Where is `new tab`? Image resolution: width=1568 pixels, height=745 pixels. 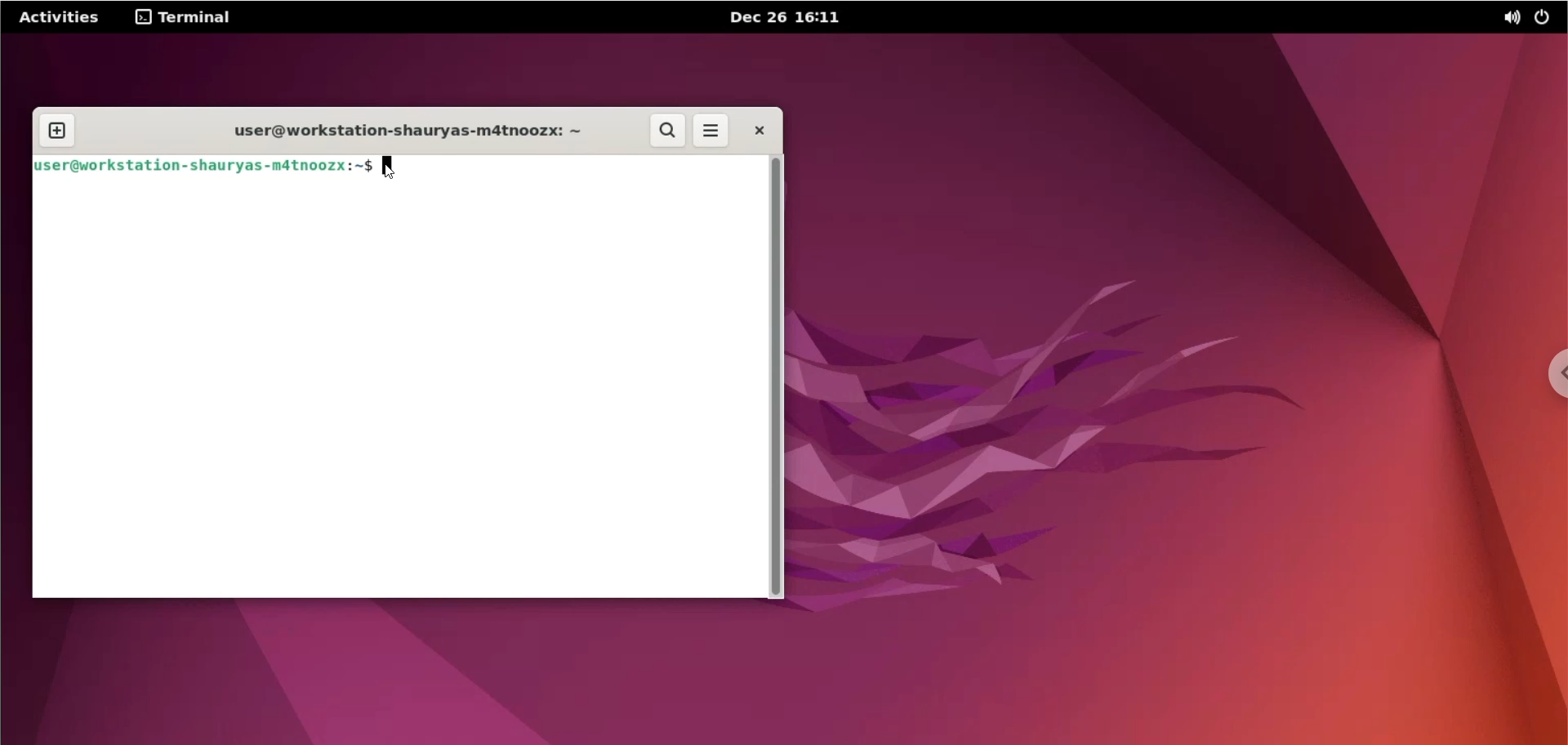
new tab is located at coordinates (56, 132).